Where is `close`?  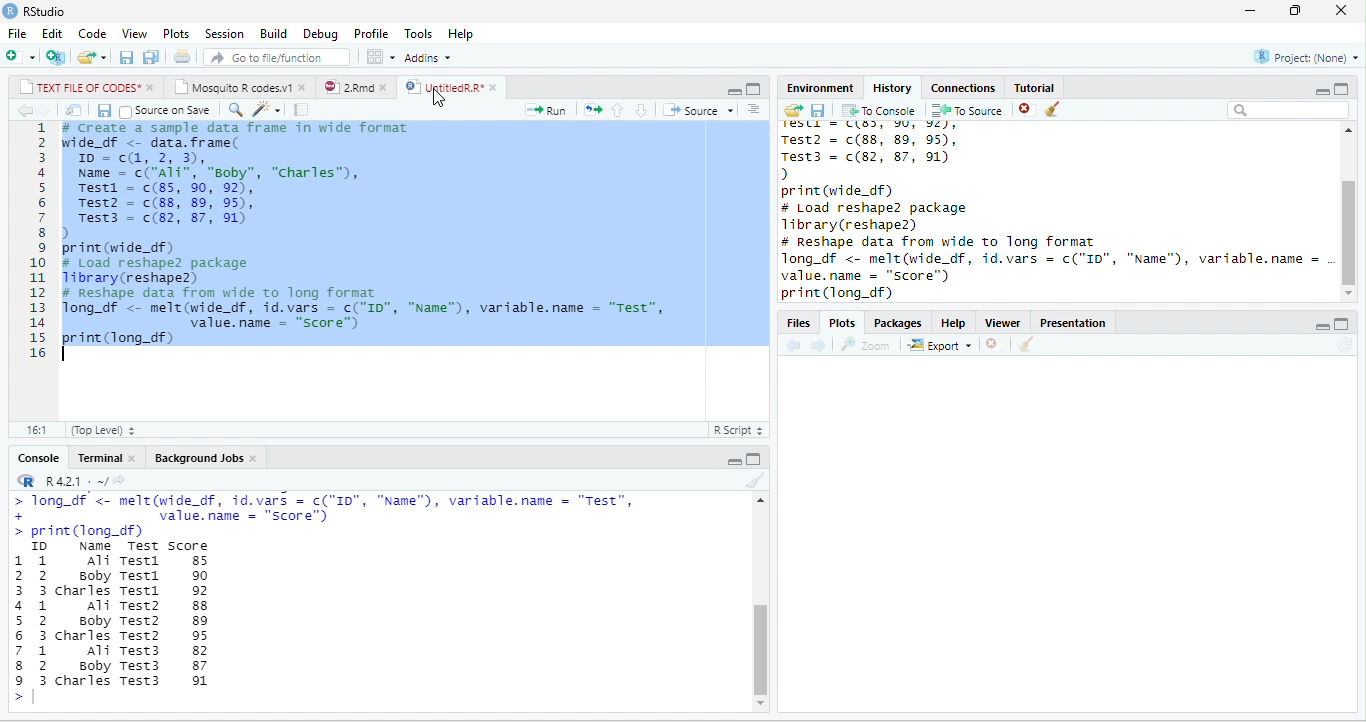 close is located at coordinates (1342, 10).